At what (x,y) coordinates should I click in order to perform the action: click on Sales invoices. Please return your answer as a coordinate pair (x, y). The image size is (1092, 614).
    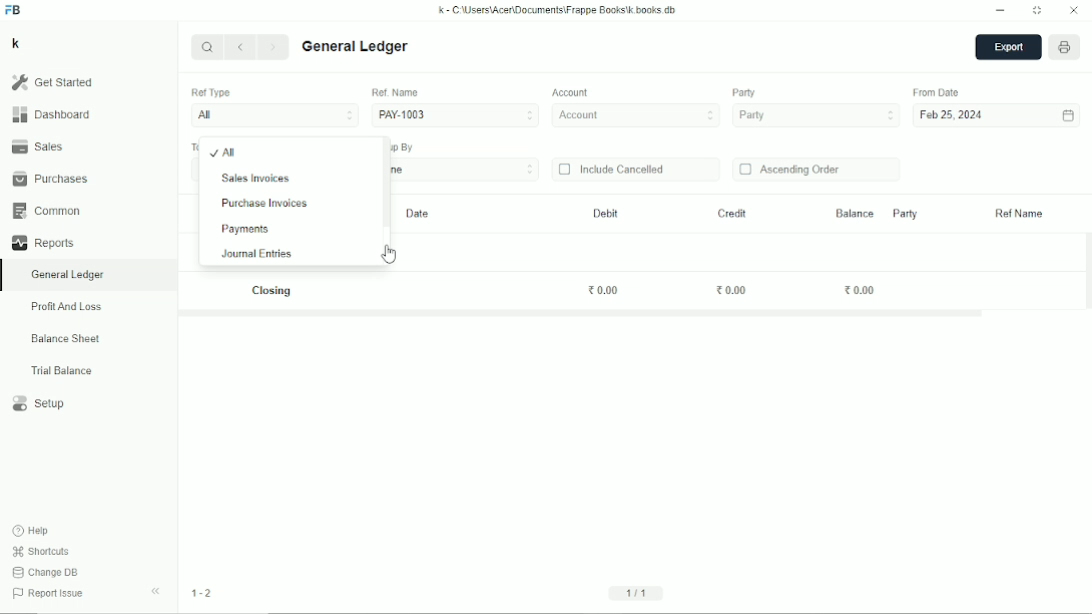
    Looking at the image, I should click on (255, 178).